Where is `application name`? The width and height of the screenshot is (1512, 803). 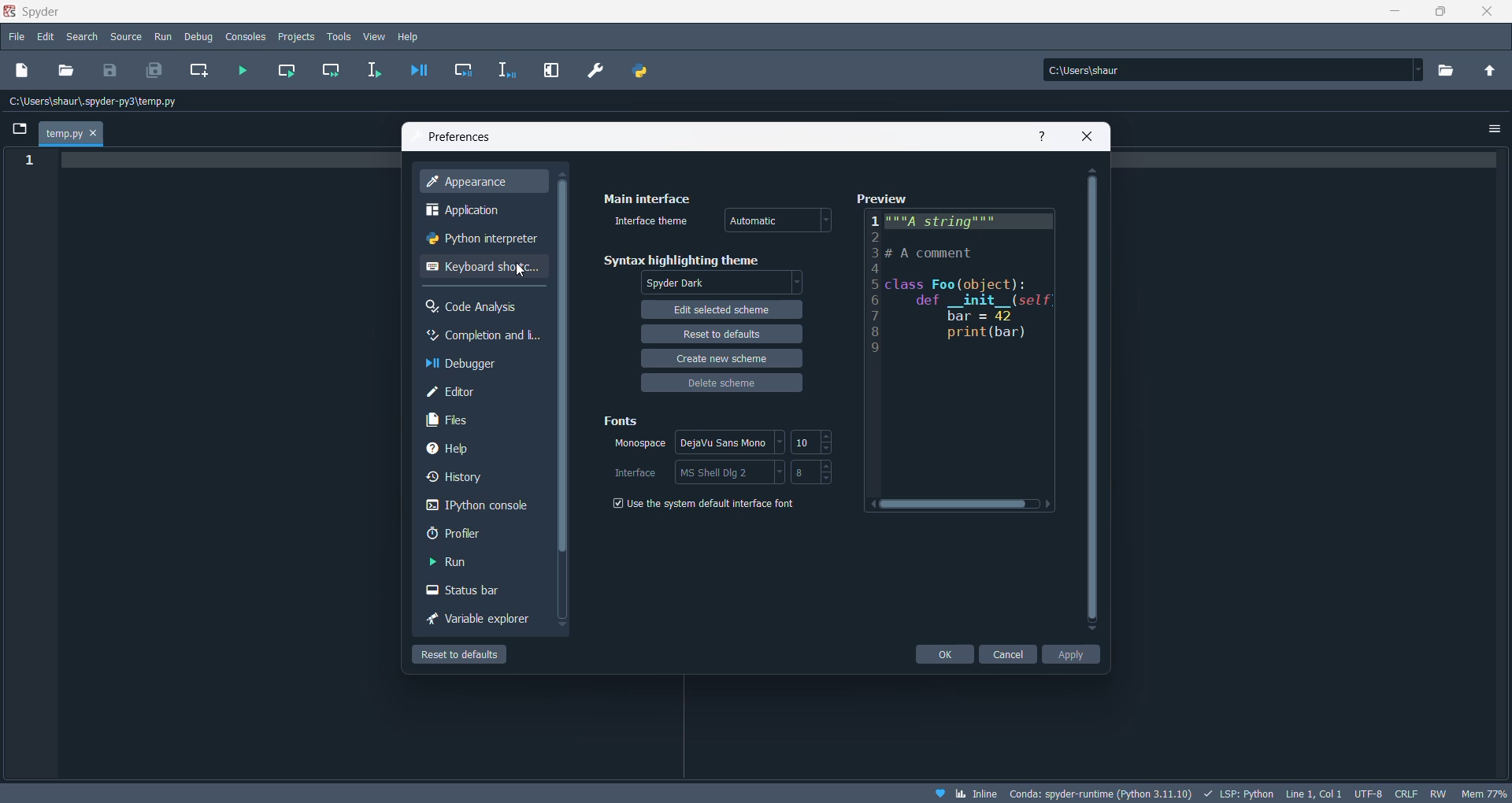 application name is located at coordinates (40, 12).